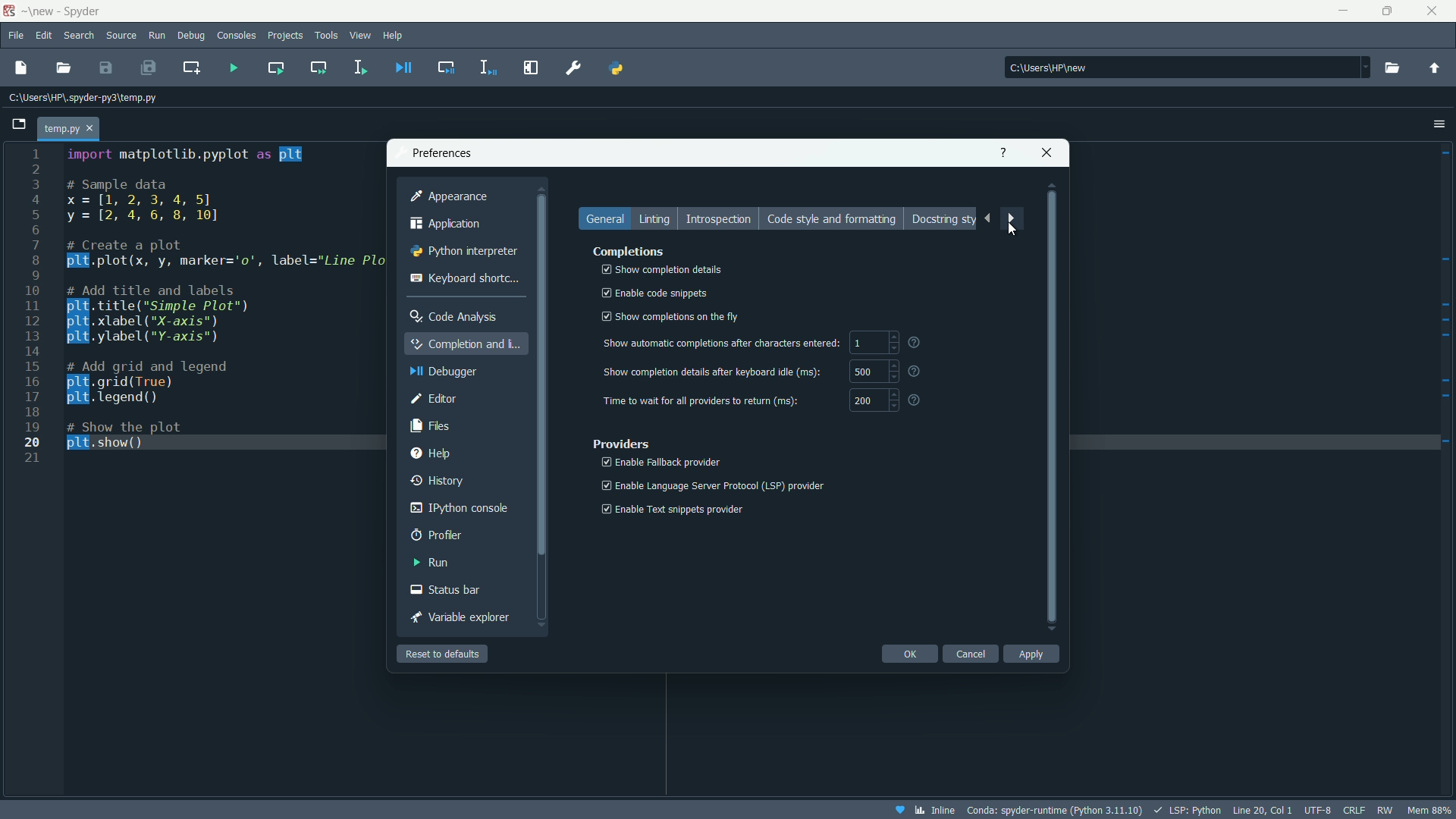  What do you see at coordinates (147, 67) in the screenshot?
I see `save all files` at bounding box center [147, 67].